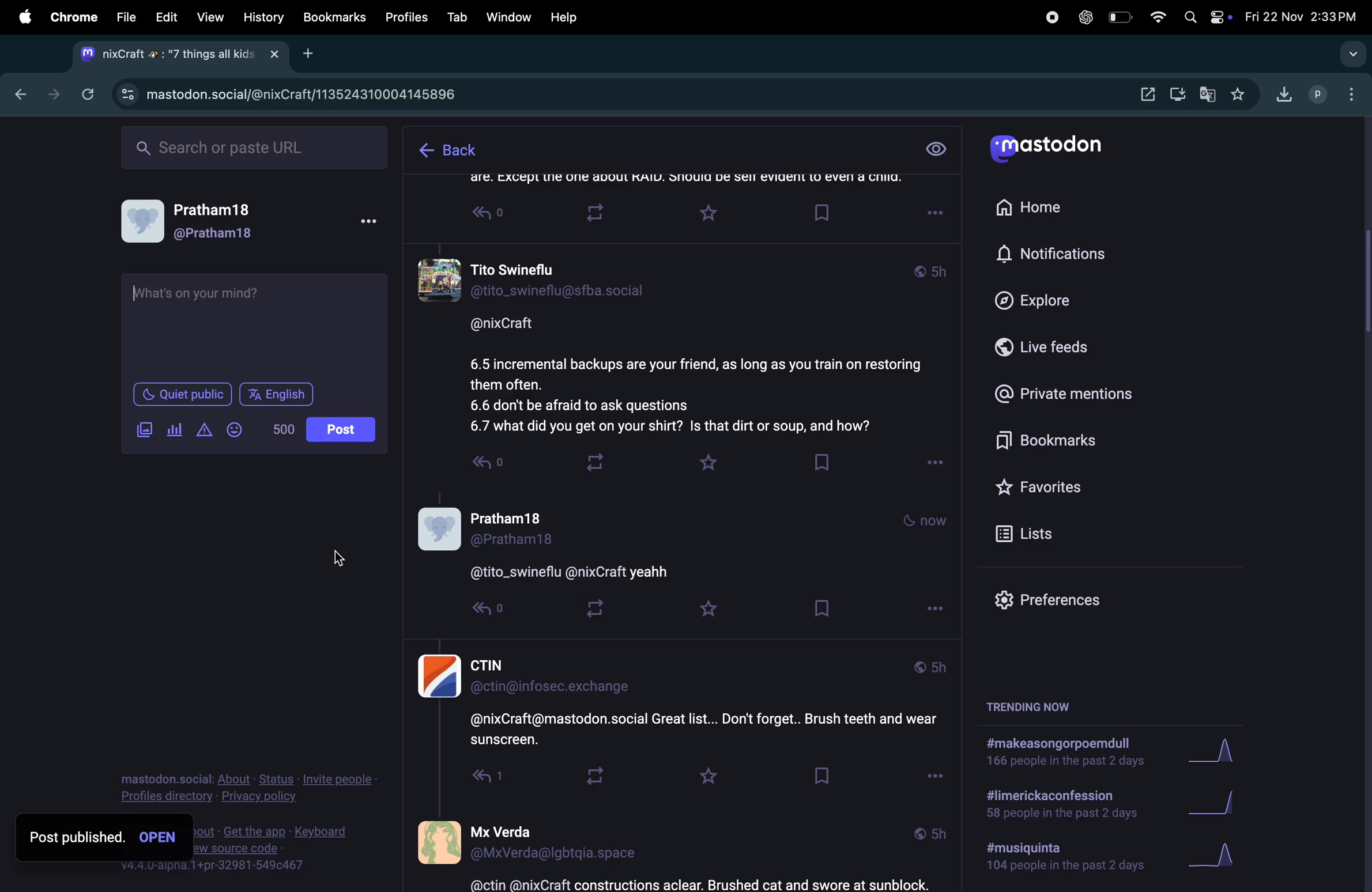 This screenshot has width=1372, height=892. What do you see at coordinates (190, 55) in the screenshot?
I see `tab` at bounding box center [190, 55].